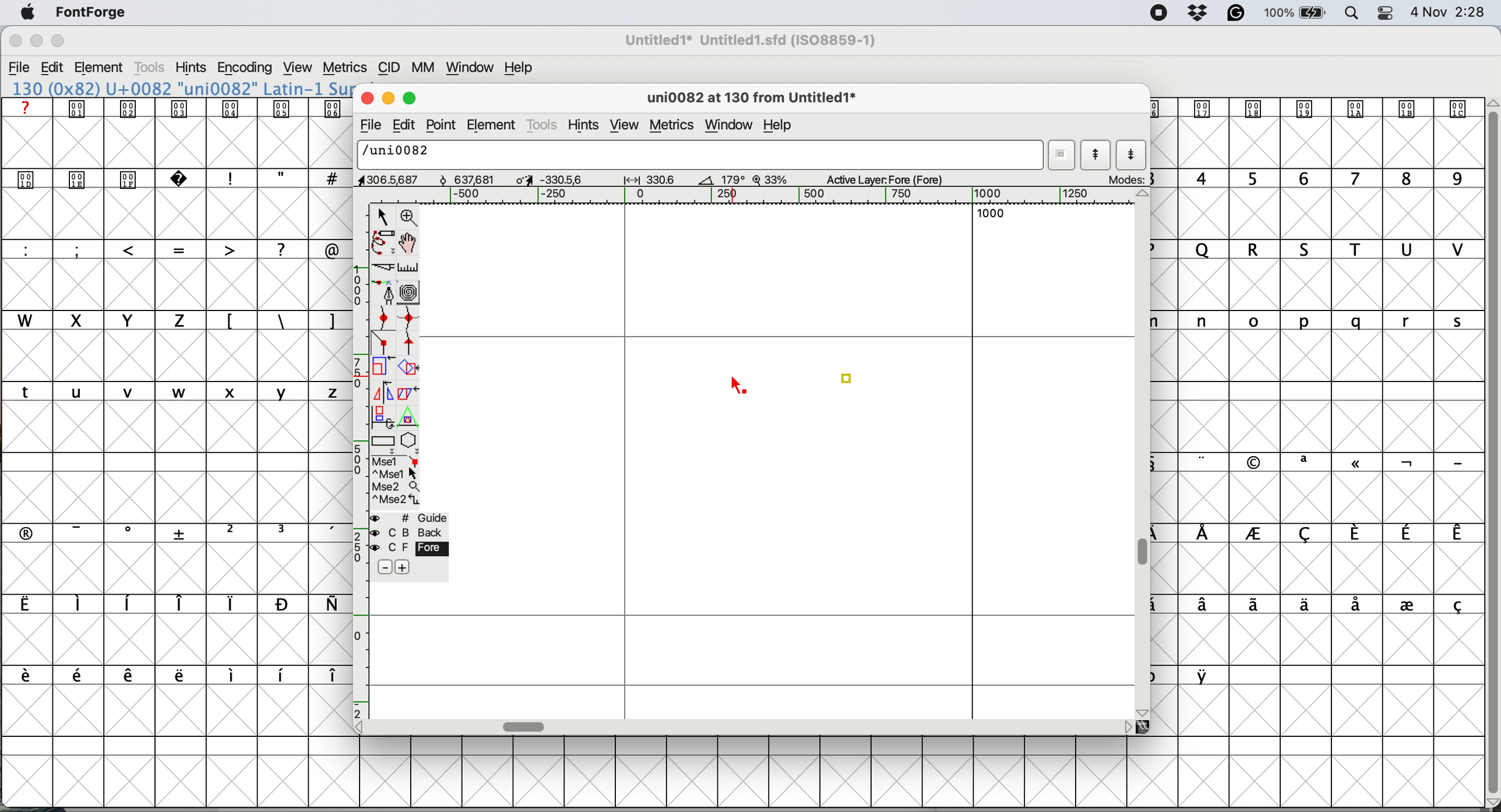  I want to click on hints, so click(191, 67).